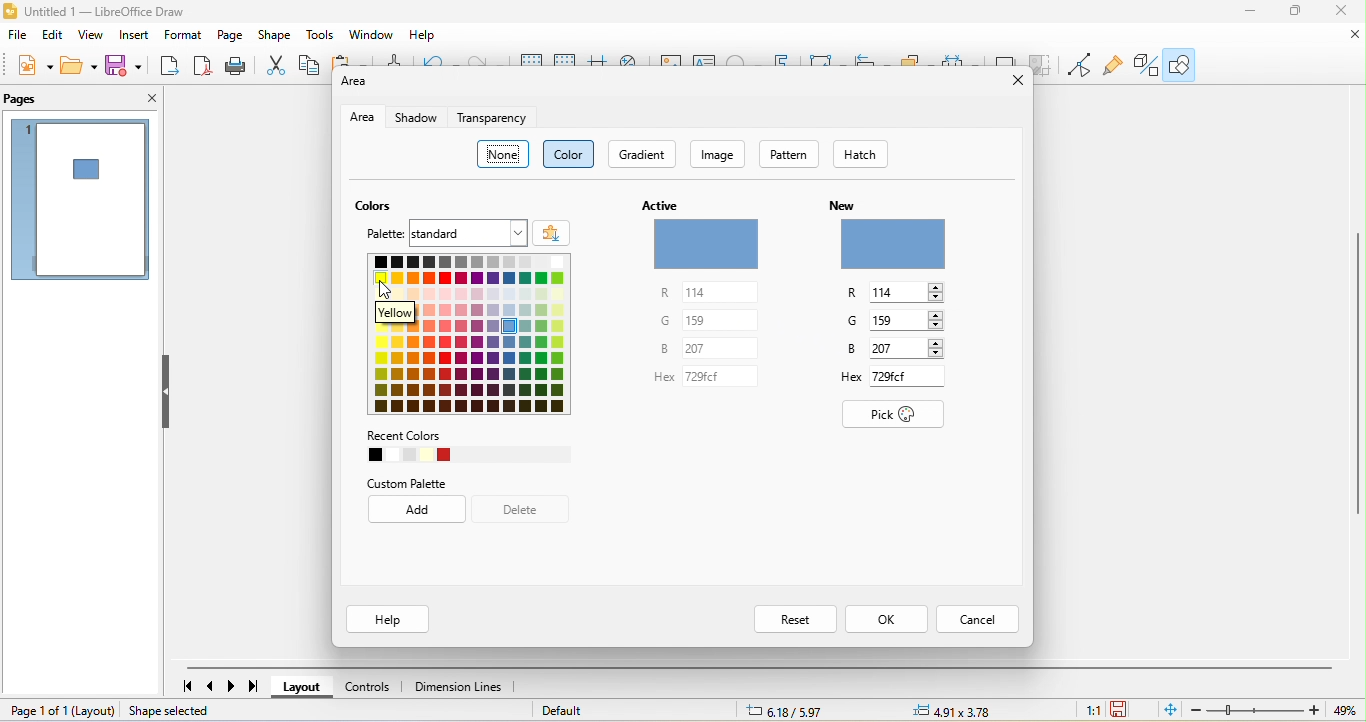 The image size is (1366, 722). Describe the element at coordinates (54, 36) in the screenshot. I see `edit` at that location.